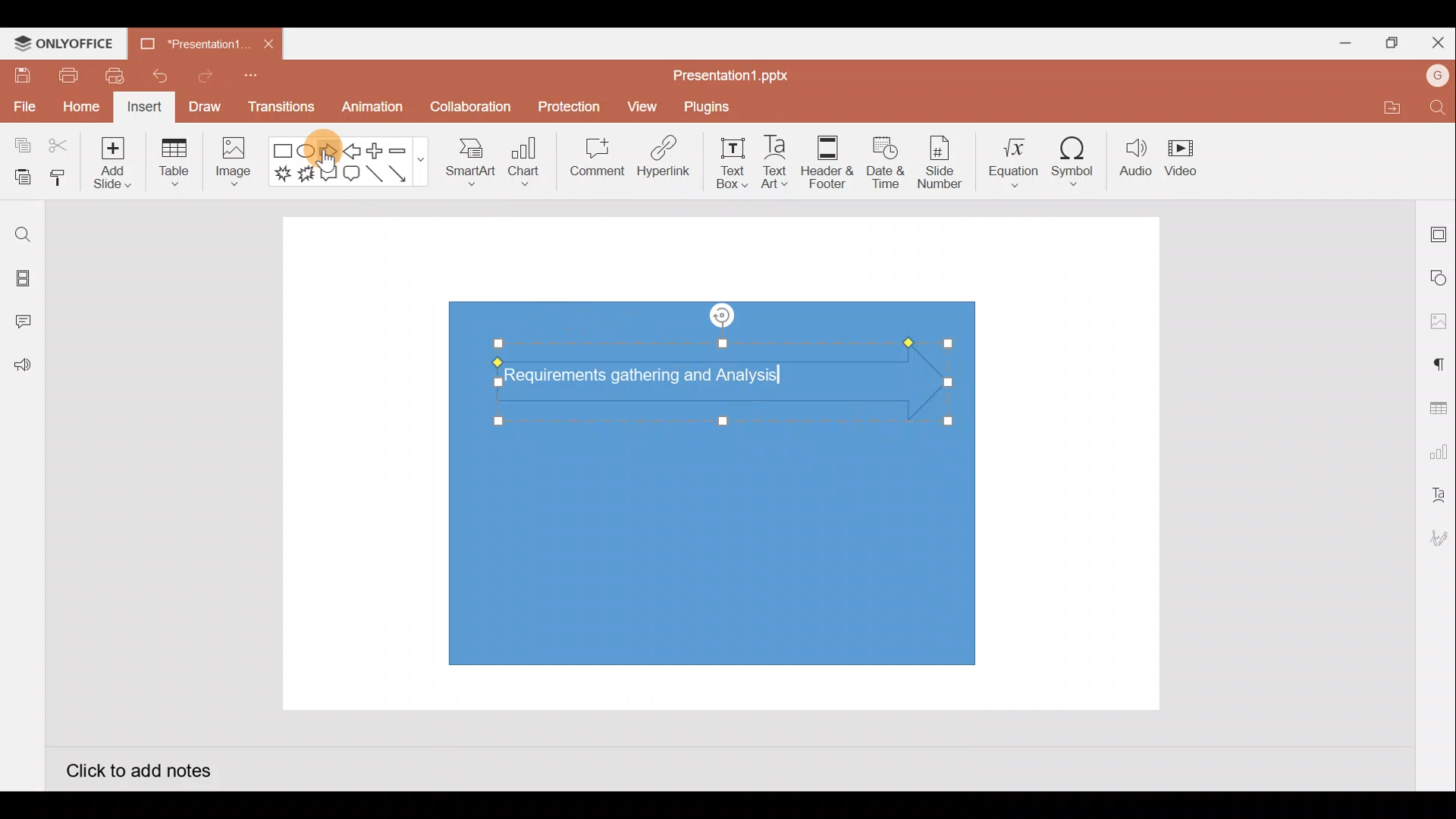 Image resolution: width=1456 pixels, height=819 pixels. What do you see at coordinates (591, 160) in the screenshot?
I see `Comment` at bounding box center [591, 160].